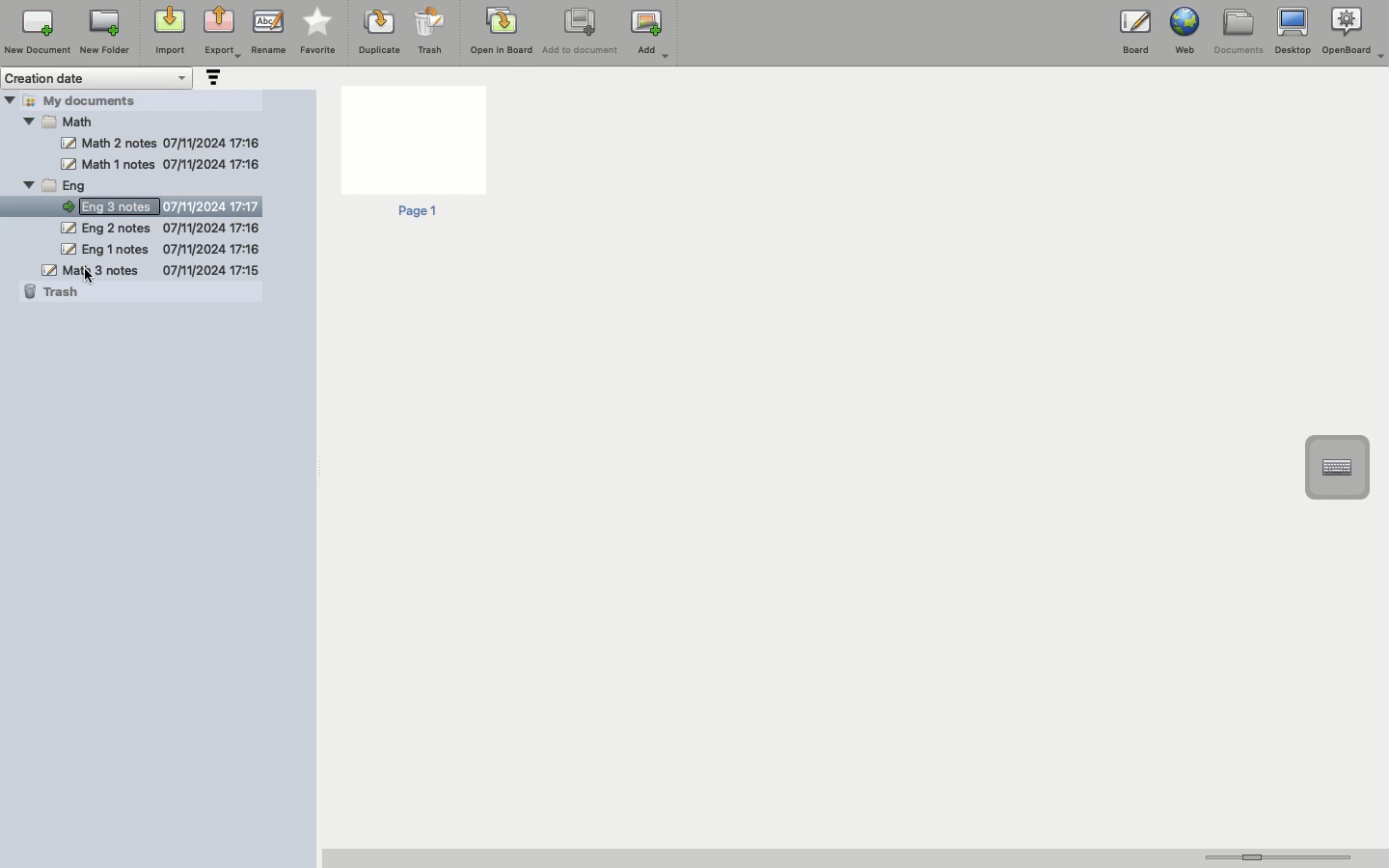 The height and width of the screenshot is (868, 1389). I want to click on Eng 3 notes, so click(150, 119).